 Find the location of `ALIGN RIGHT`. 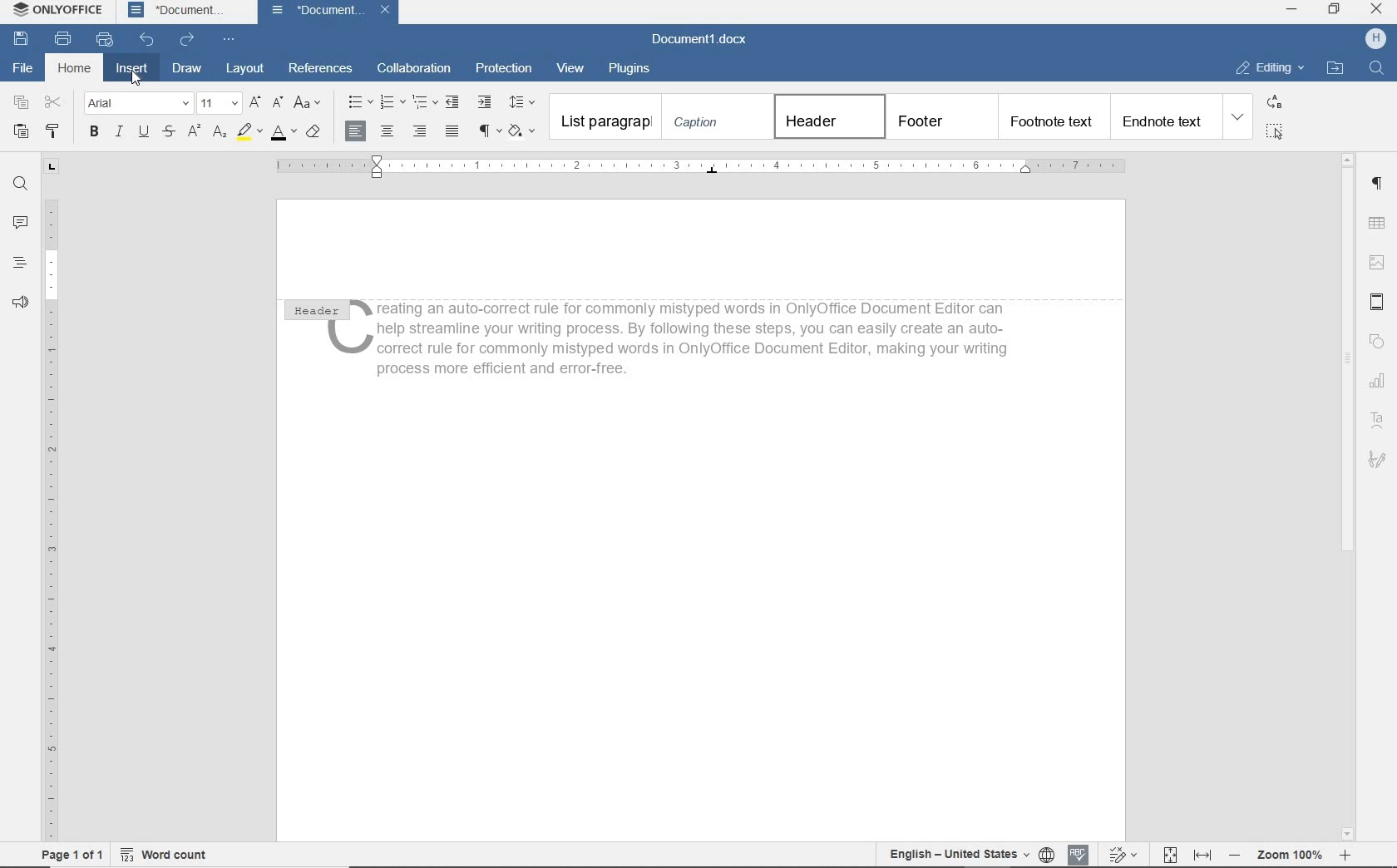

ALIGN RIGHT is located at coordinates (421, 131).